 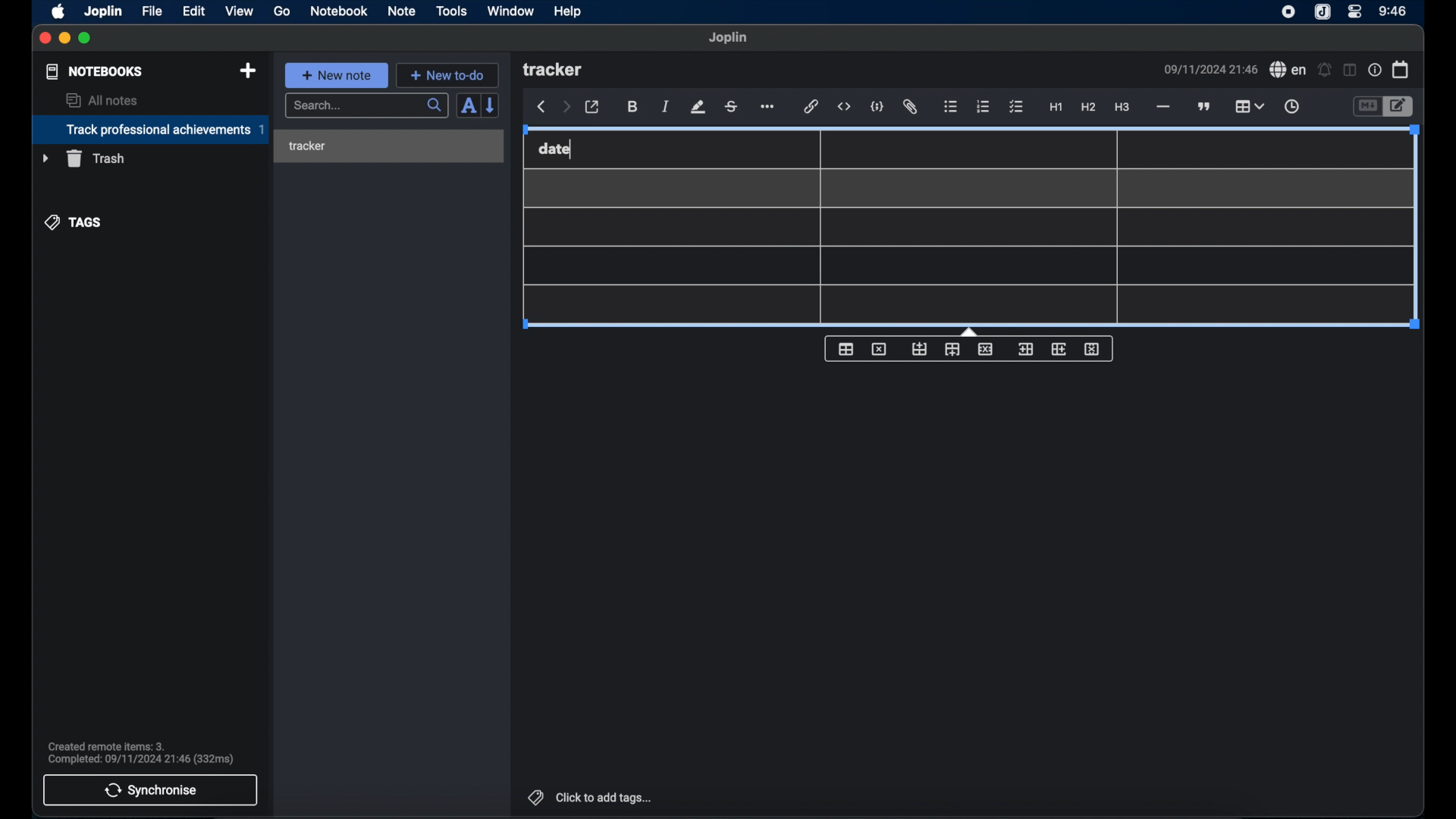 I want to click on edit, so click(x=195, y=11).